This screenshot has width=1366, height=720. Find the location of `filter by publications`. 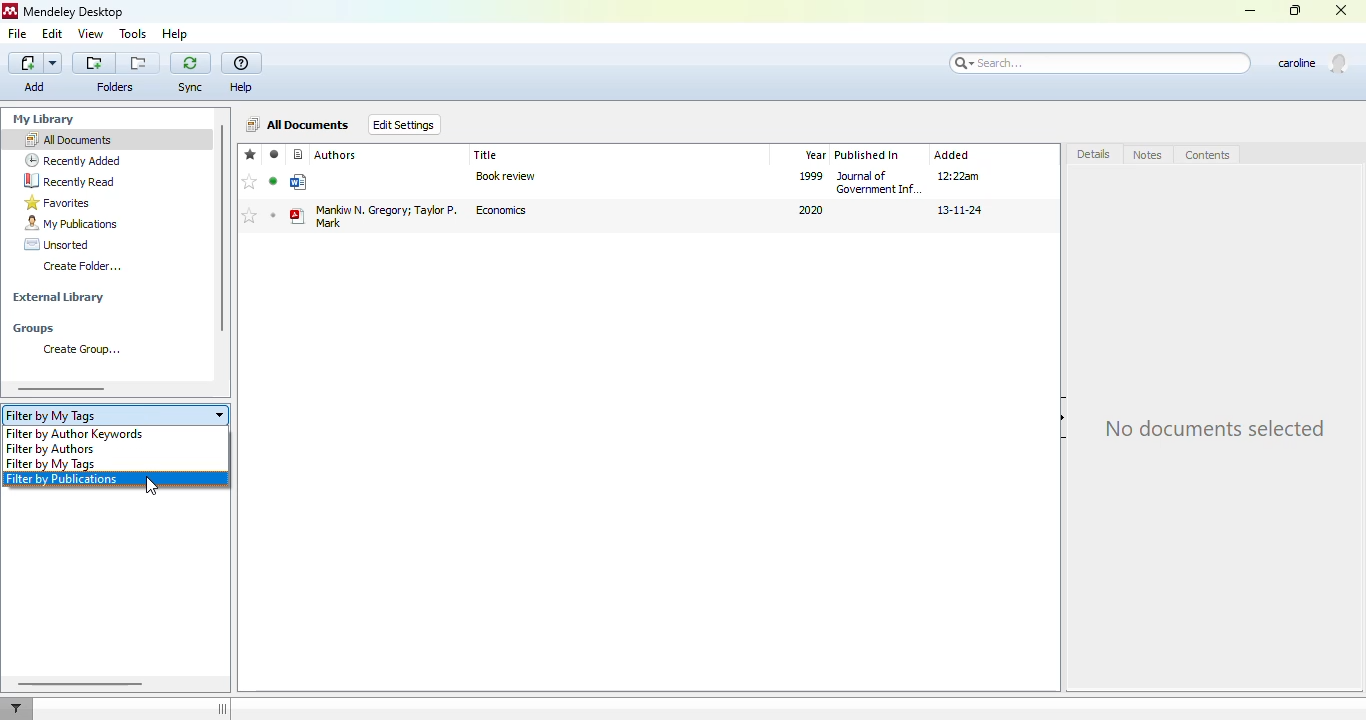

filter by publications is located at coordinates (69, 479).